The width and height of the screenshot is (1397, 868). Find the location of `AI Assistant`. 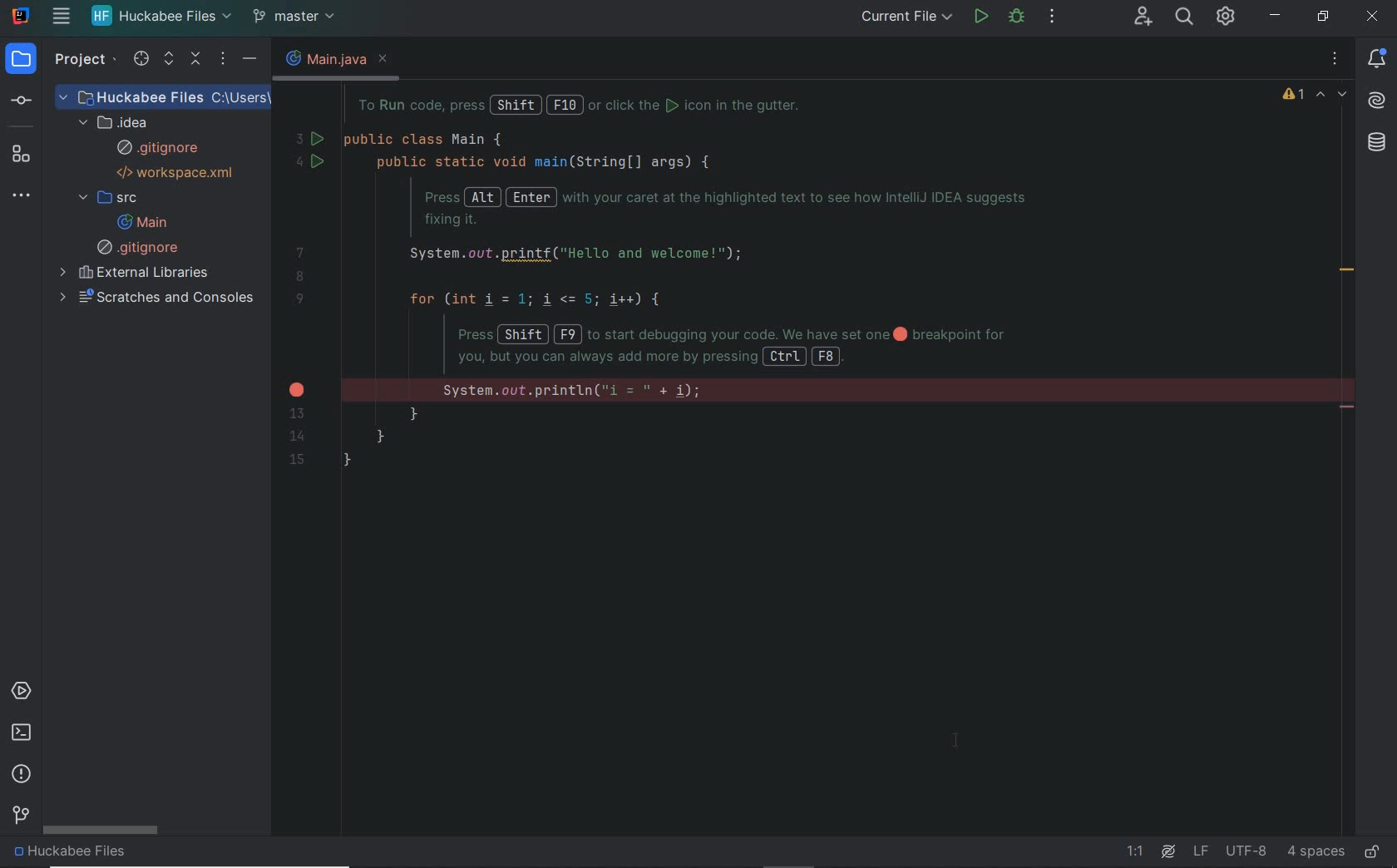

AI Assistant is located at coordinates (1168, 851).